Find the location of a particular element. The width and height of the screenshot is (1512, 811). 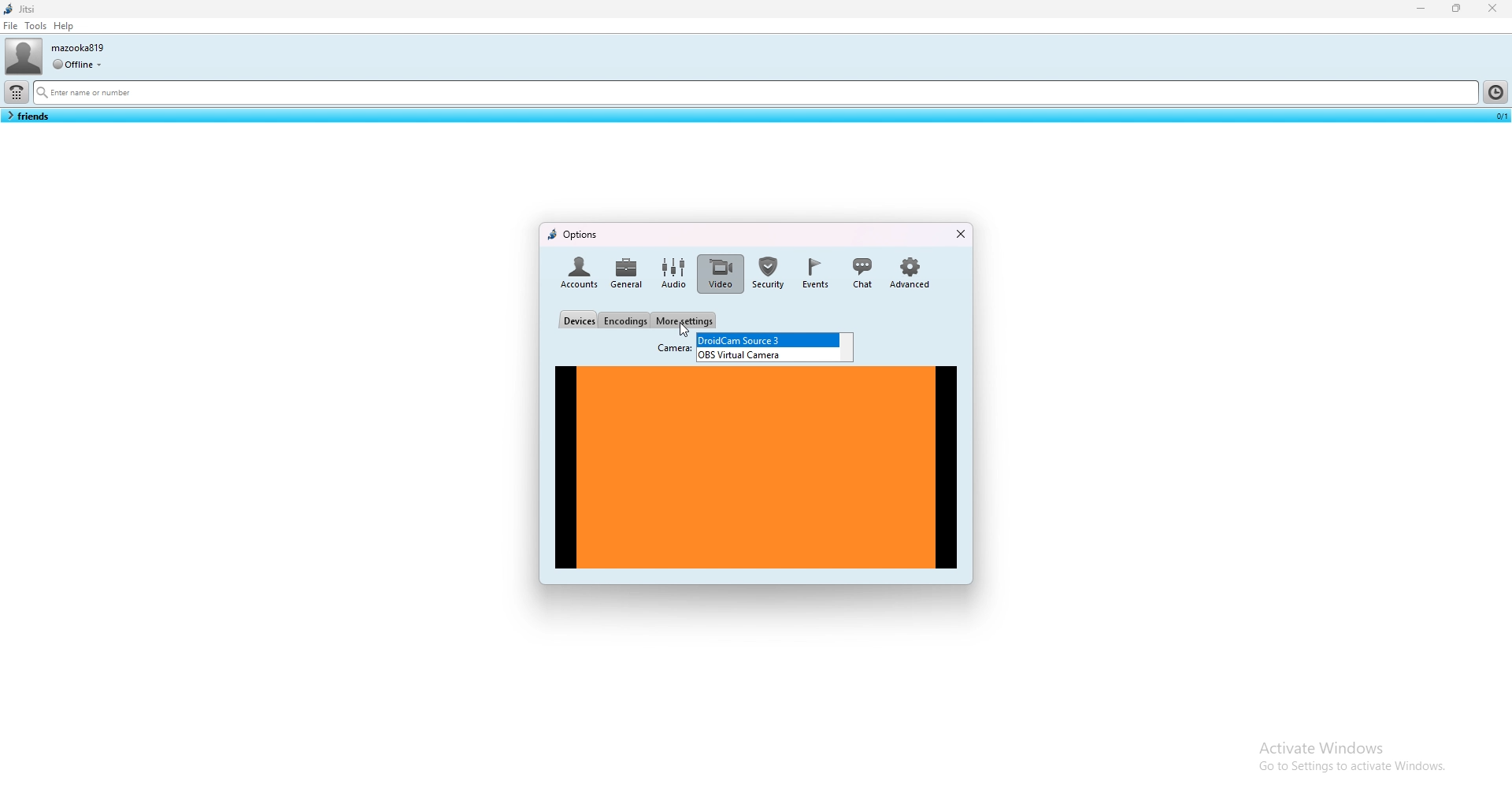

close is located at coordinates (960, 233).